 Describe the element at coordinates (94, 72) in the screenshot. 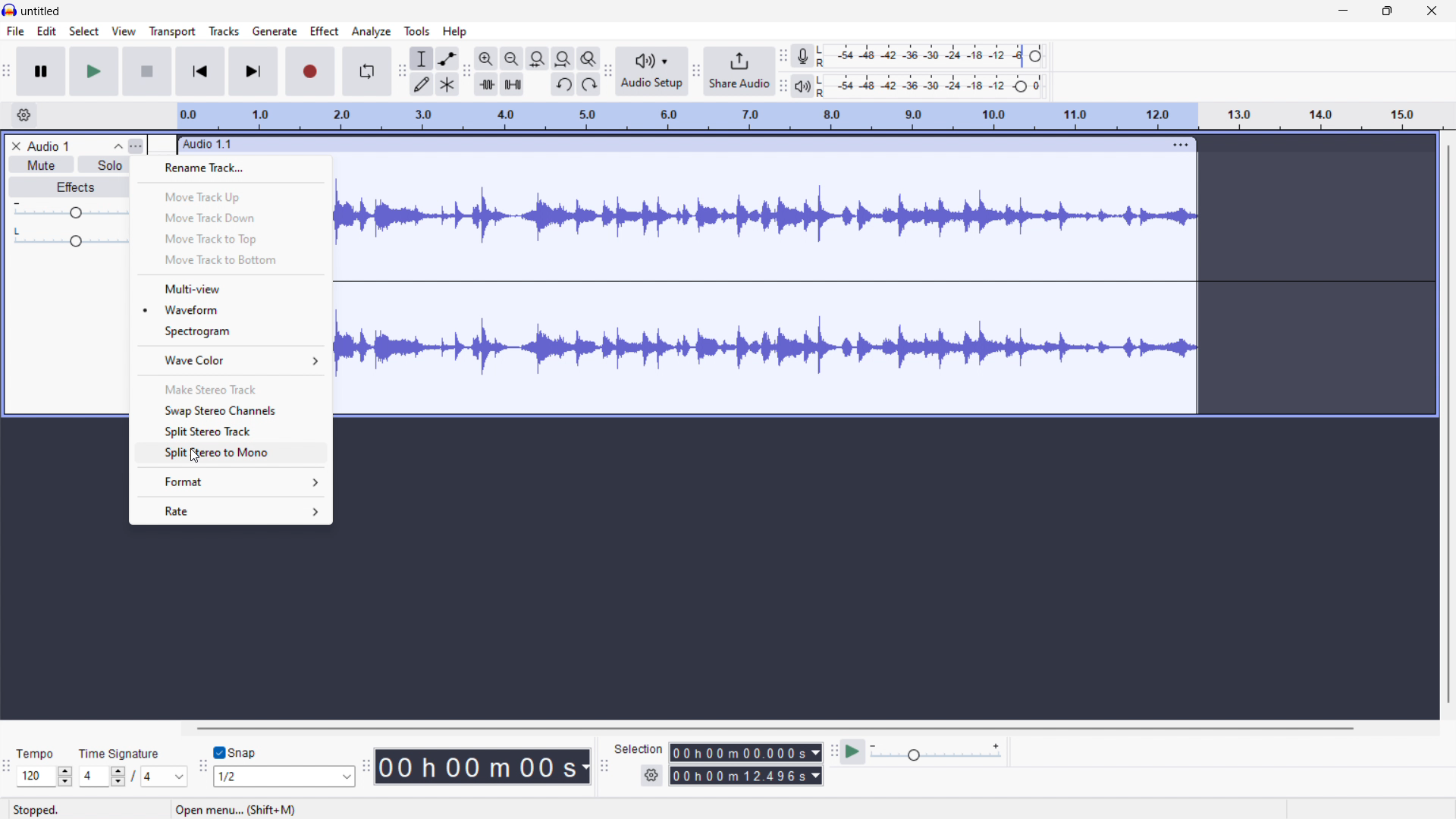

I see `play` at that location.